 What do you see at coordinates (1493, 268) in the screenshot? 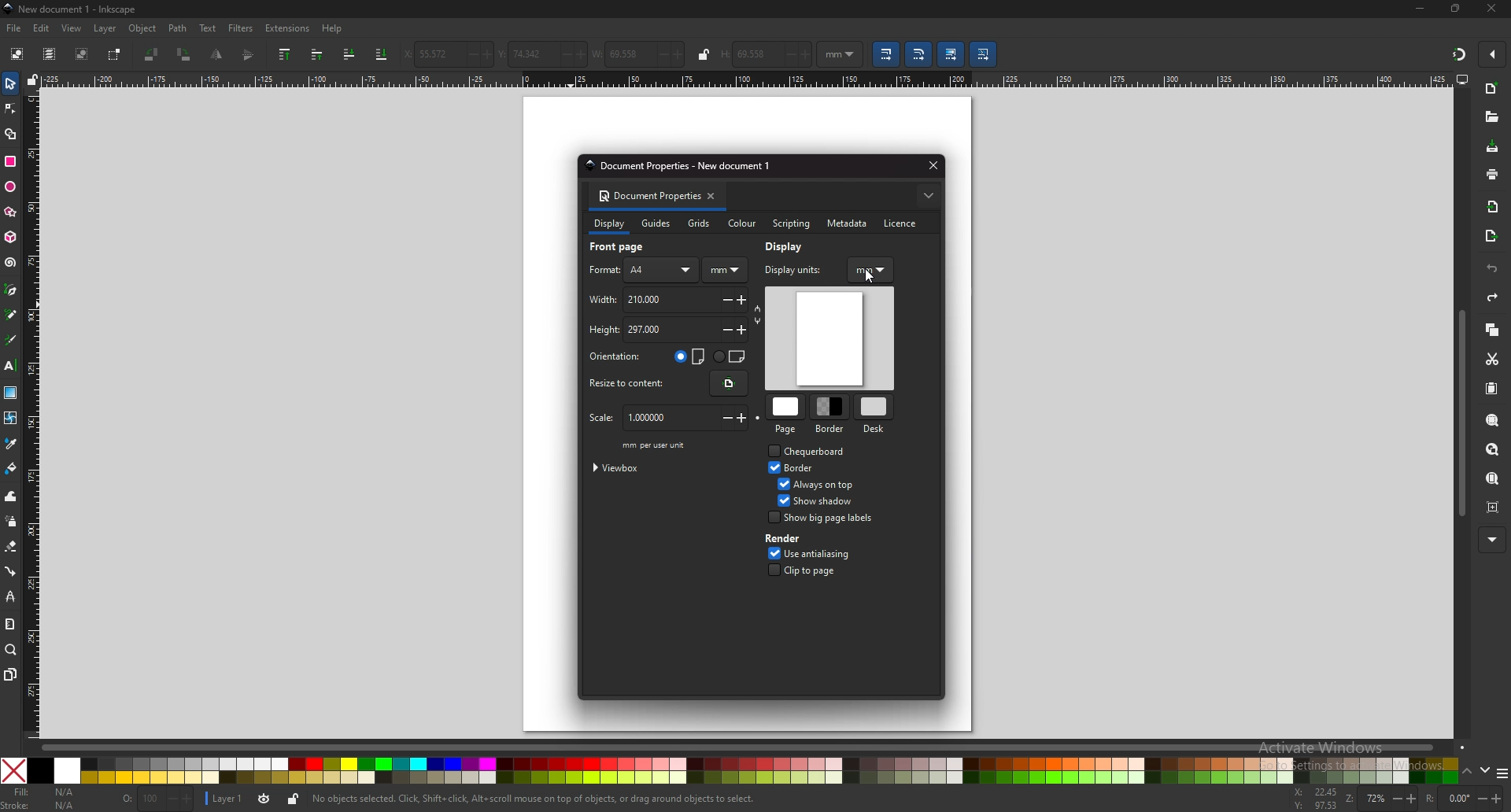
I see `undo` at bounding box center [1493, 268].